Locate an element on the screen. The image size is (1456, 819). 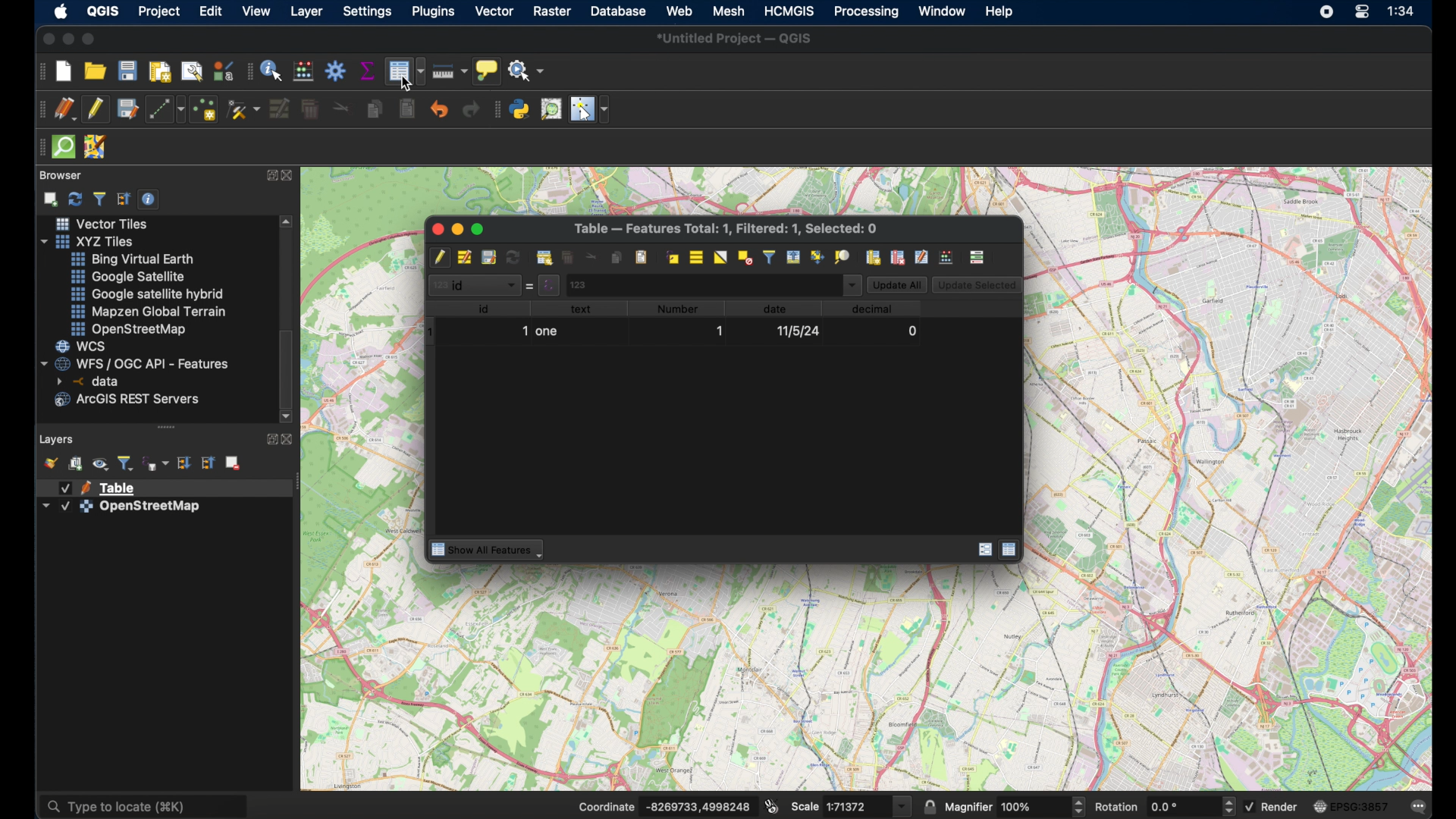
increase or decrease magnifier value is located at coordinates (1081, 805).